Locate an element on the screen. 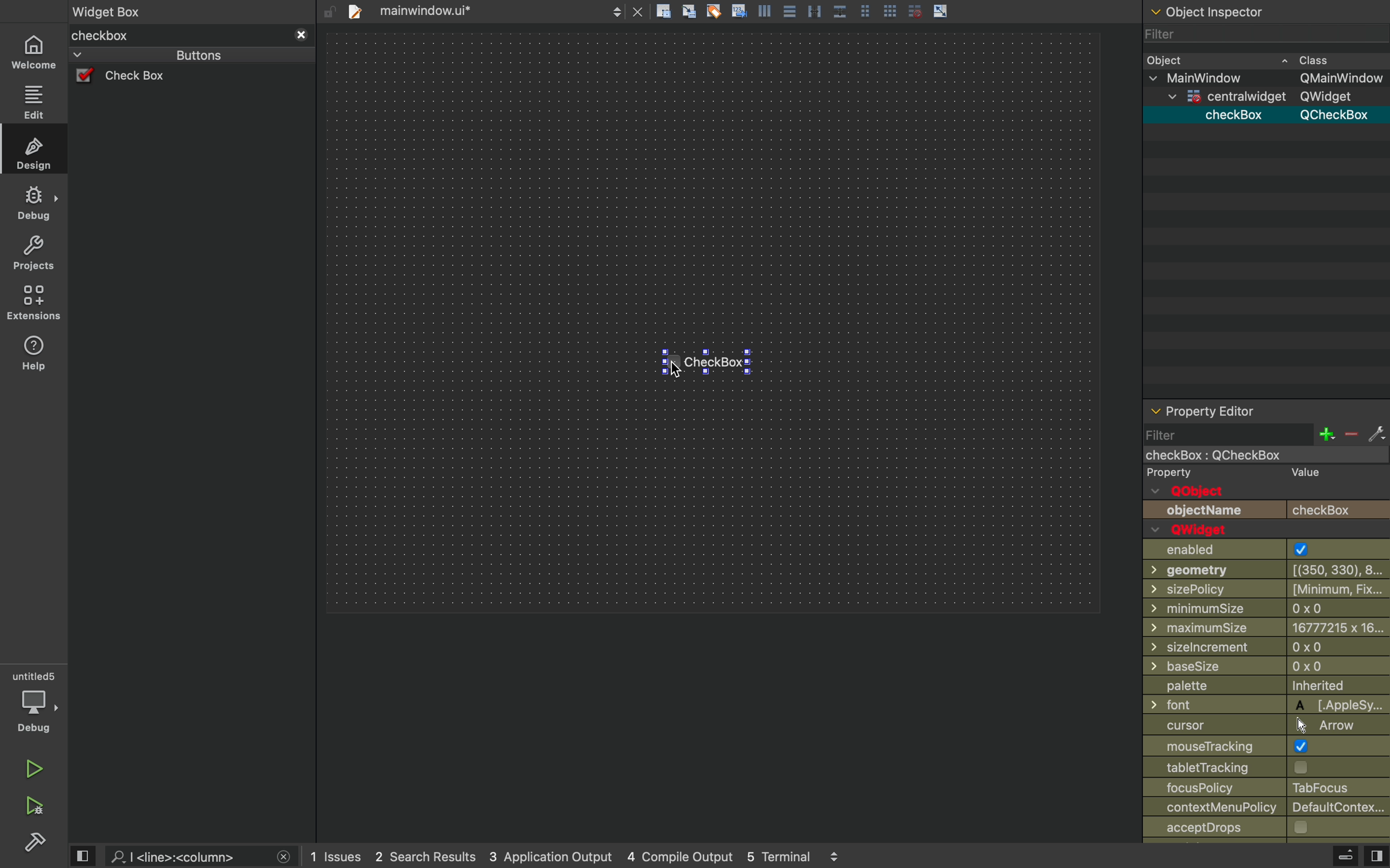 The image size is (1390, 868). Value is located at coordinates (1306, 473).